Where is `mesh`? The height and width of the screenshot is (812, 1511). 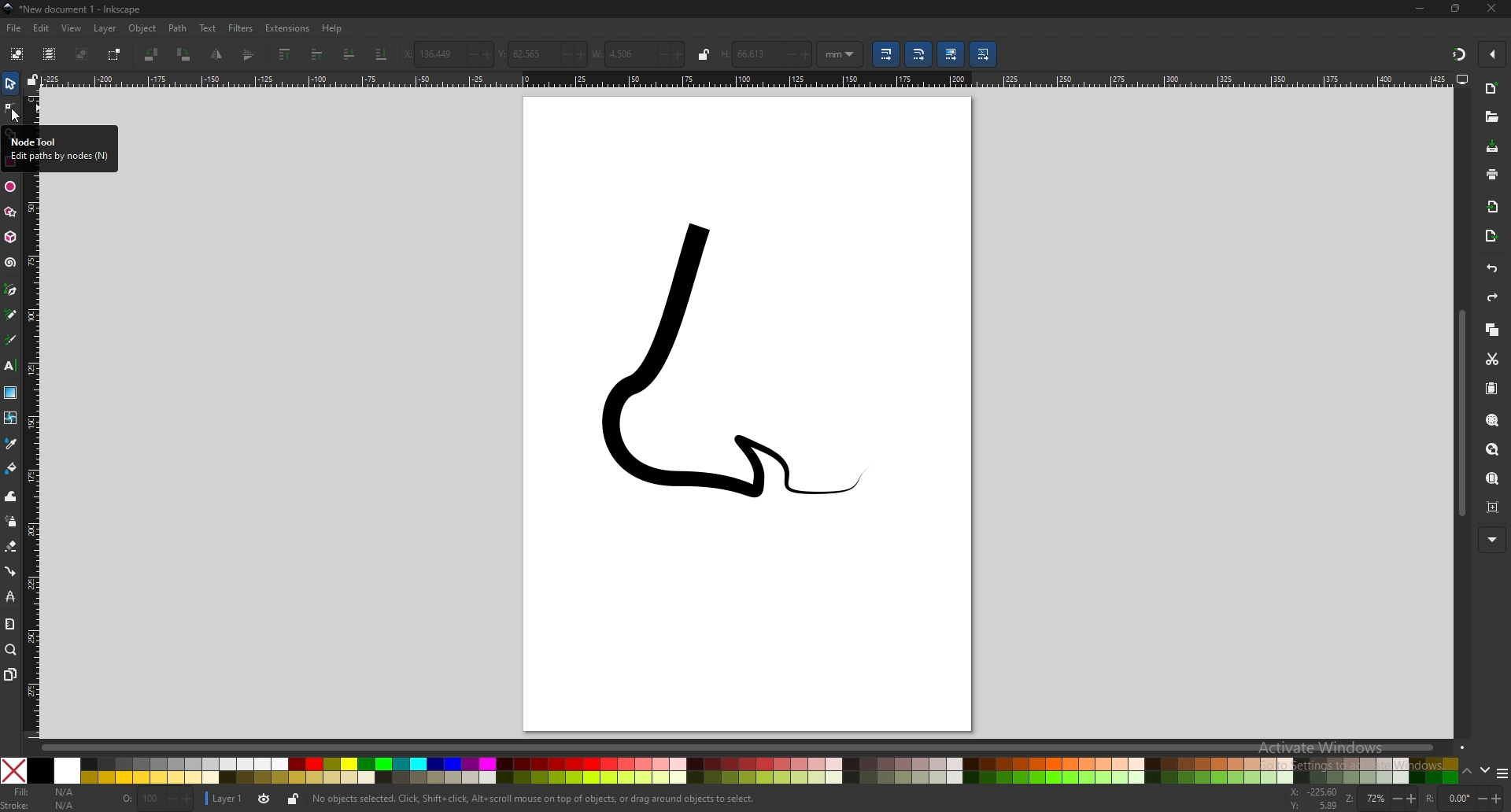
mesh is located at coordinates (10, 418).